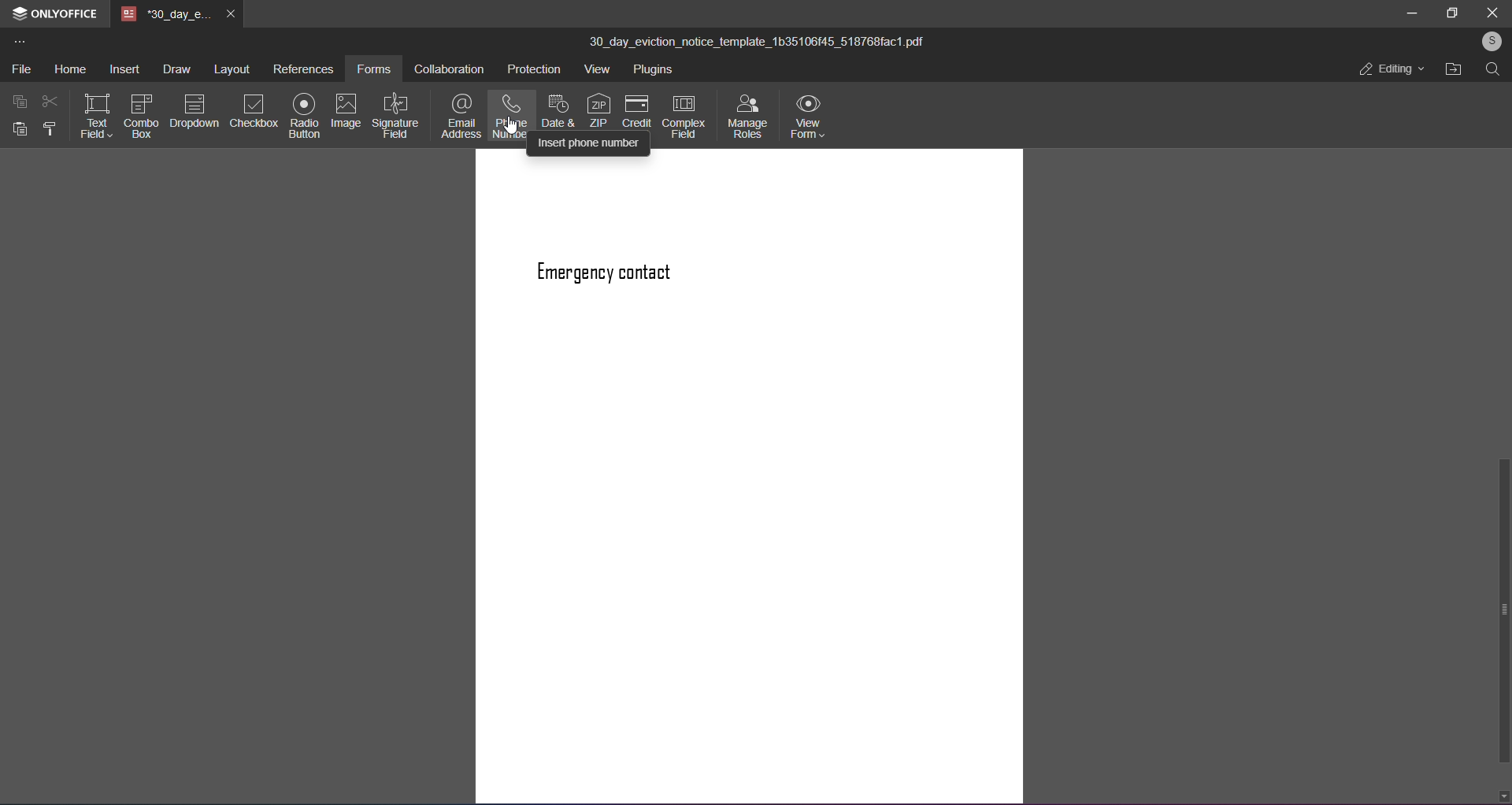 The width and height of the screenshot is (1512, 805). I want to click on title, so click(757, 43).